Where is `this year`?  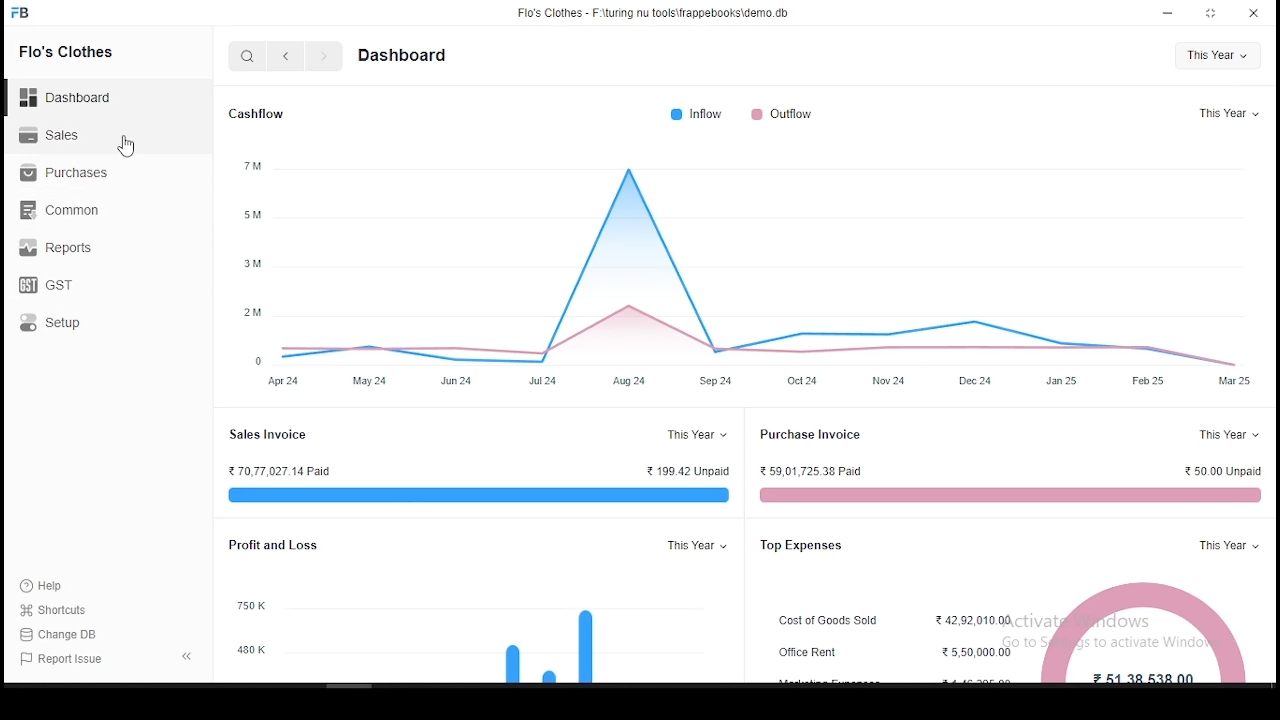 this year is located at coordinates (1227, 111).